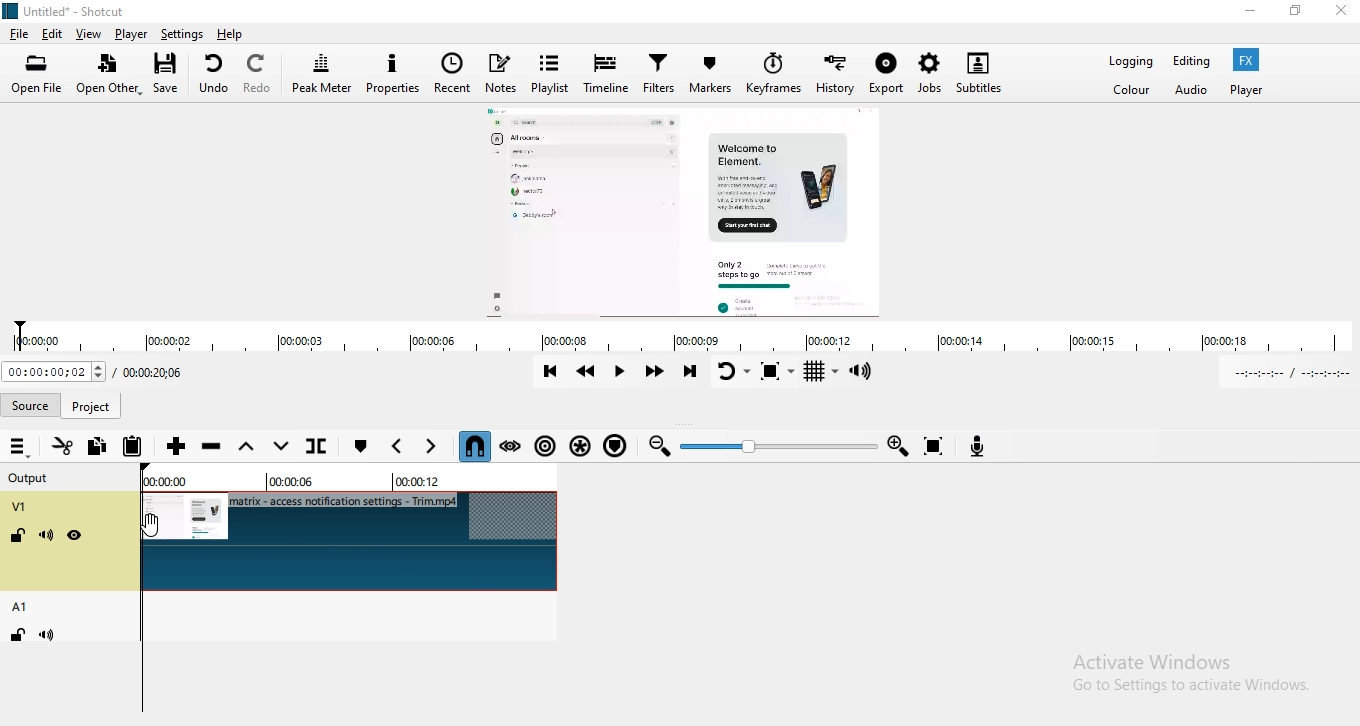  Describe the element at coordinates (1194, 62) in the screenshot. I see `Editing` at that location.